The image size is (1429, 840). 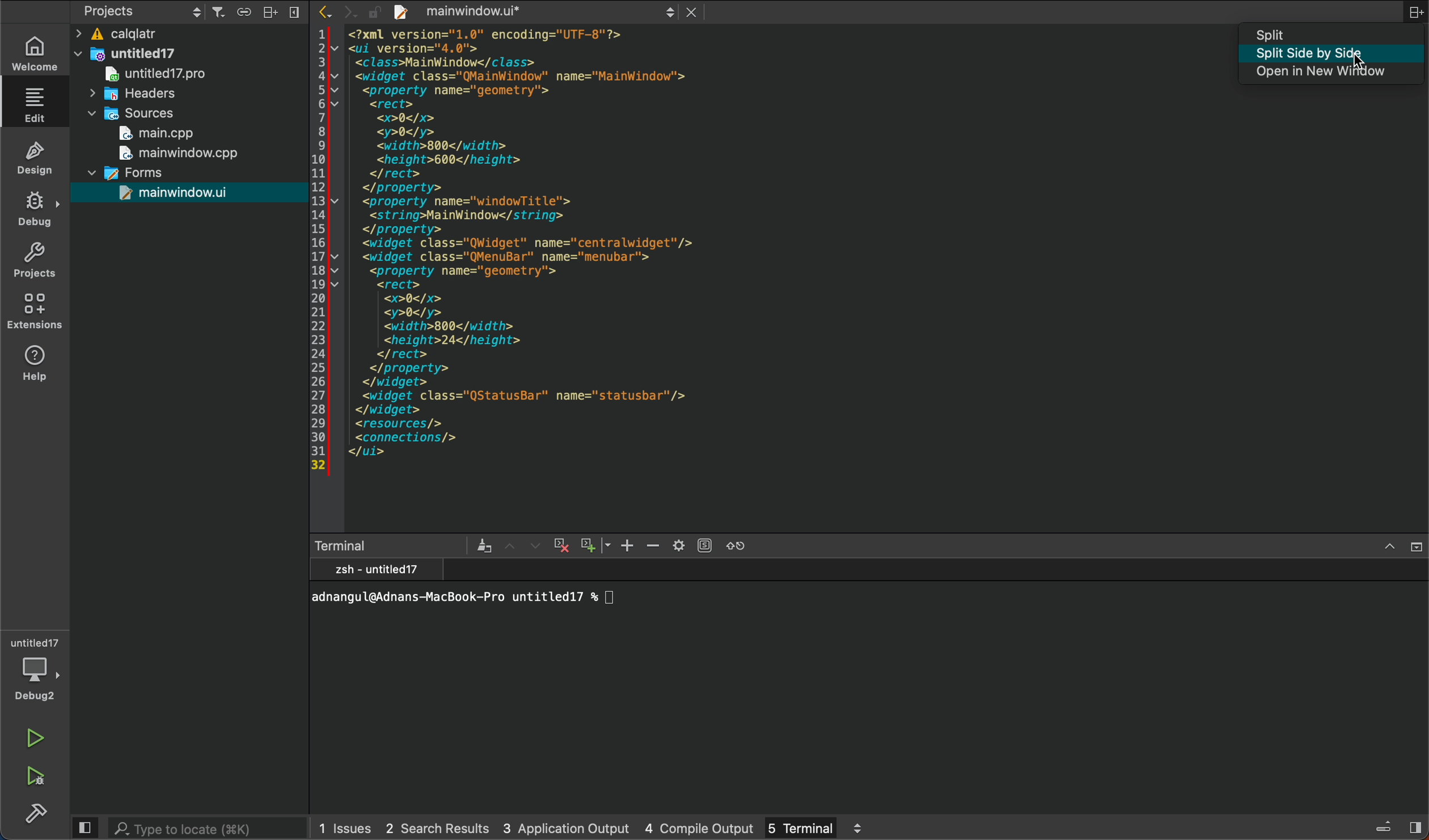 What do you see at coordinates (174, 153) in the screenshot?
I see `main window` at bounding box center [174, 153].